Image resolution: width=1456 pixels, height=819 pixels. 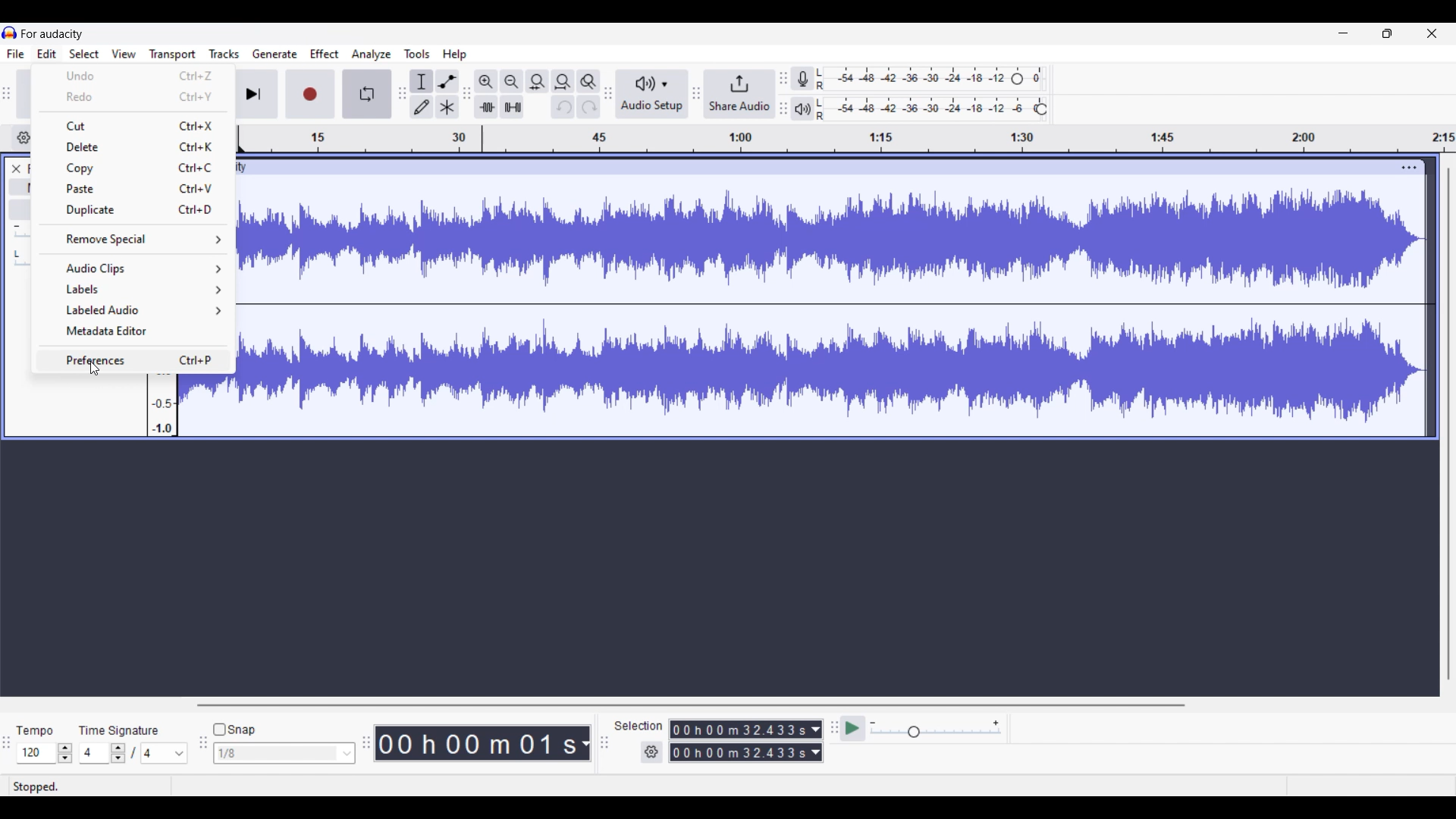 What do you see at coordinates (47, 54) in the screenshot?
I see `Edit menu` at bounding box center [47, 54].